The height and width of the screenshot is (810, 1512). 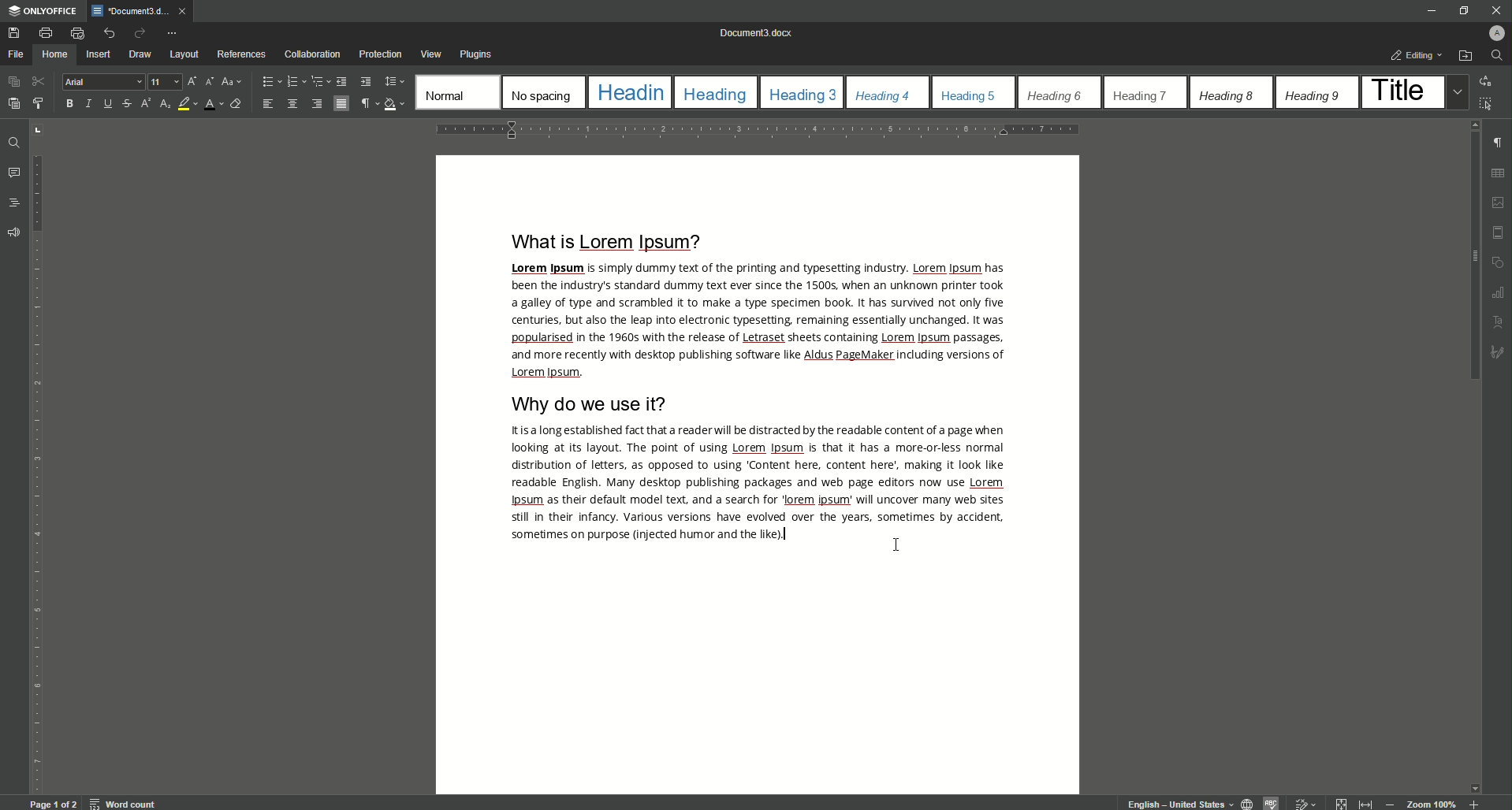 What do you see at coordinates (89, 105) in the screenshot?
I see `Italics` at bounding box center [89, 105].